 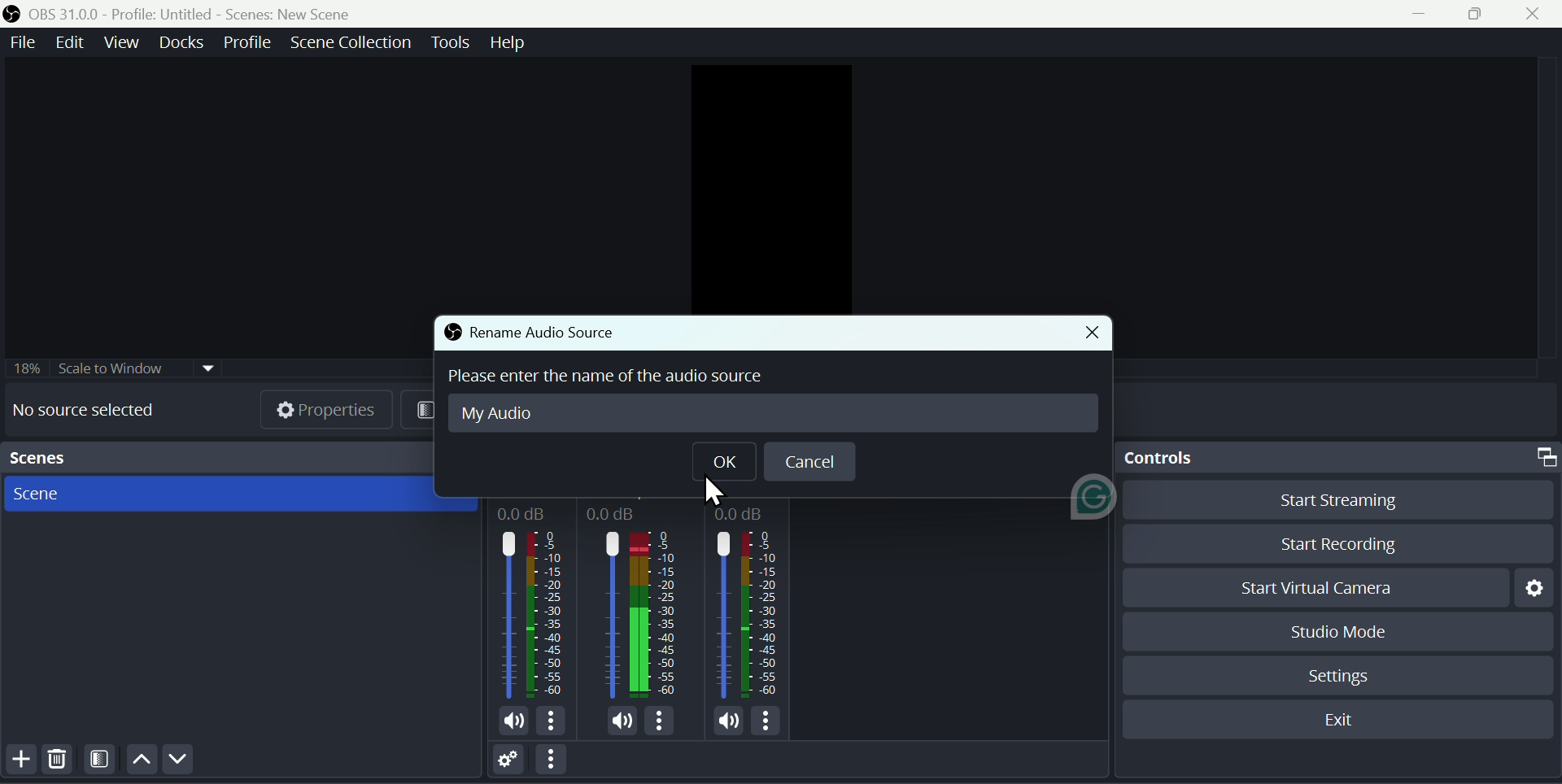 I want to click on close, so click(x=1087, y=333).